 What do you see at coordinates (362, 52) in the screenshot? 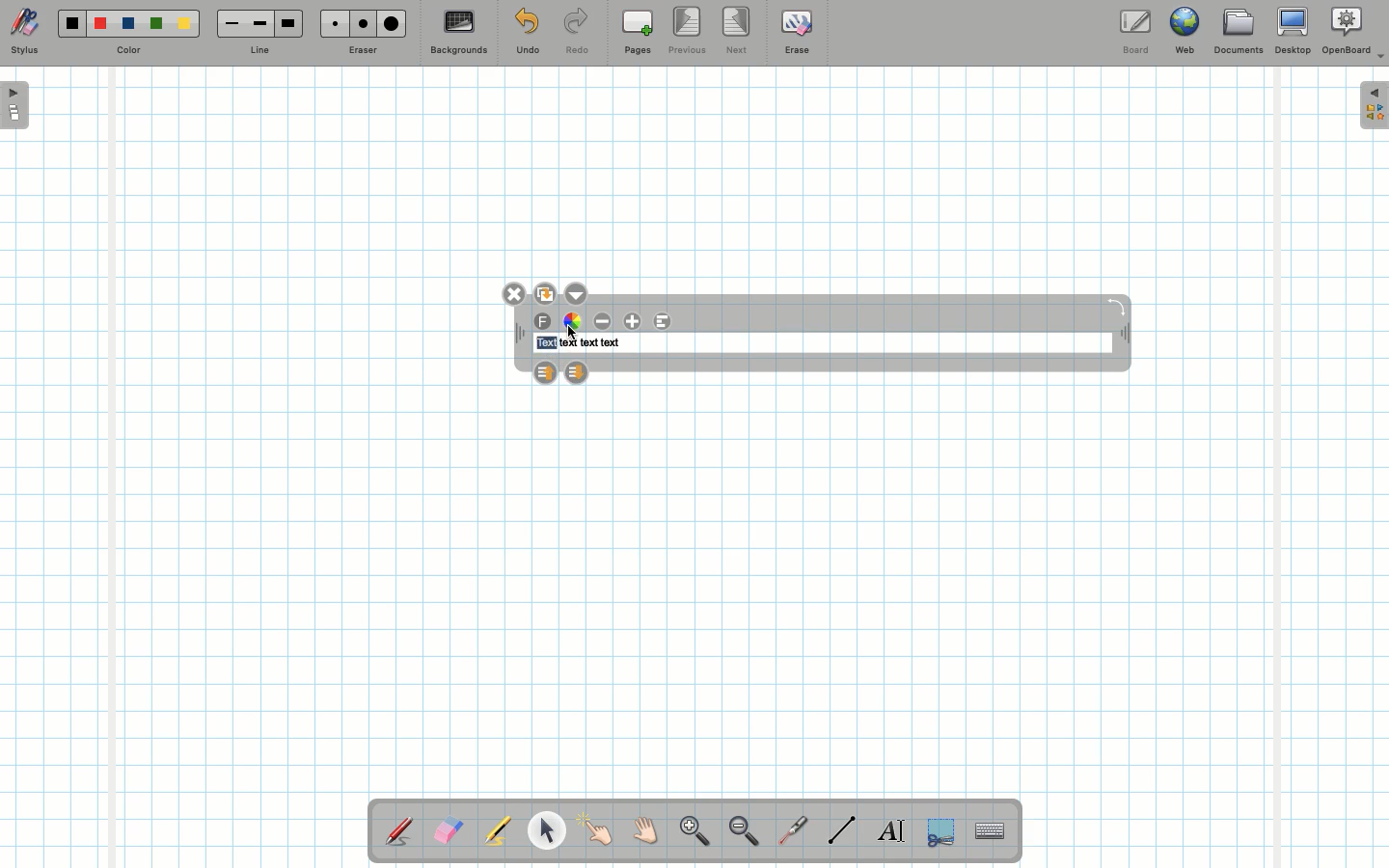
I see `Eraser` at bounding box center [362, 52].